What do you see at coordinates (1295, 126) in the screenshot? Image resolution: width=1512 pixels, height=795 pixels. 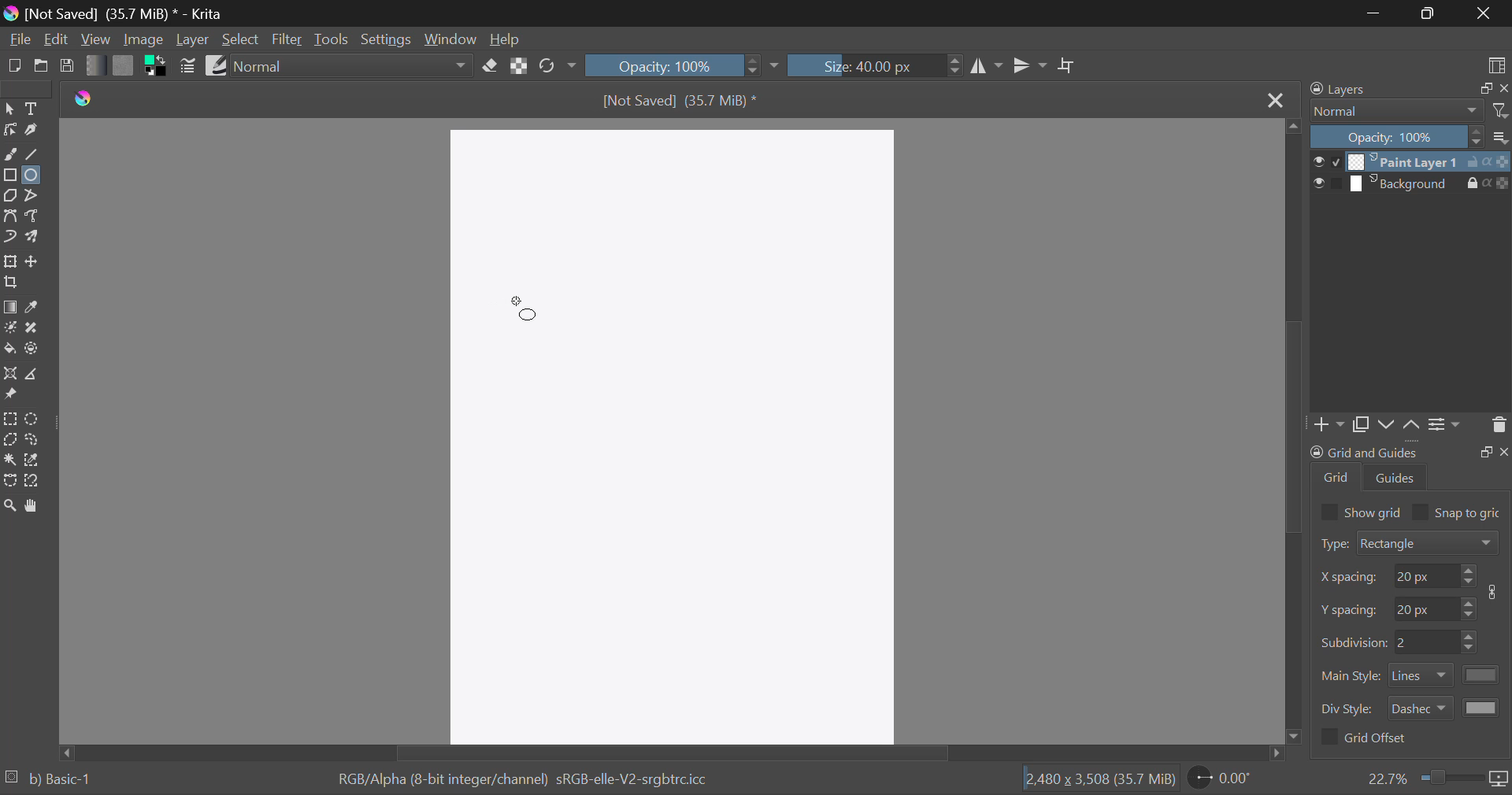 I see `move top` at bounding box center [1295, 126].